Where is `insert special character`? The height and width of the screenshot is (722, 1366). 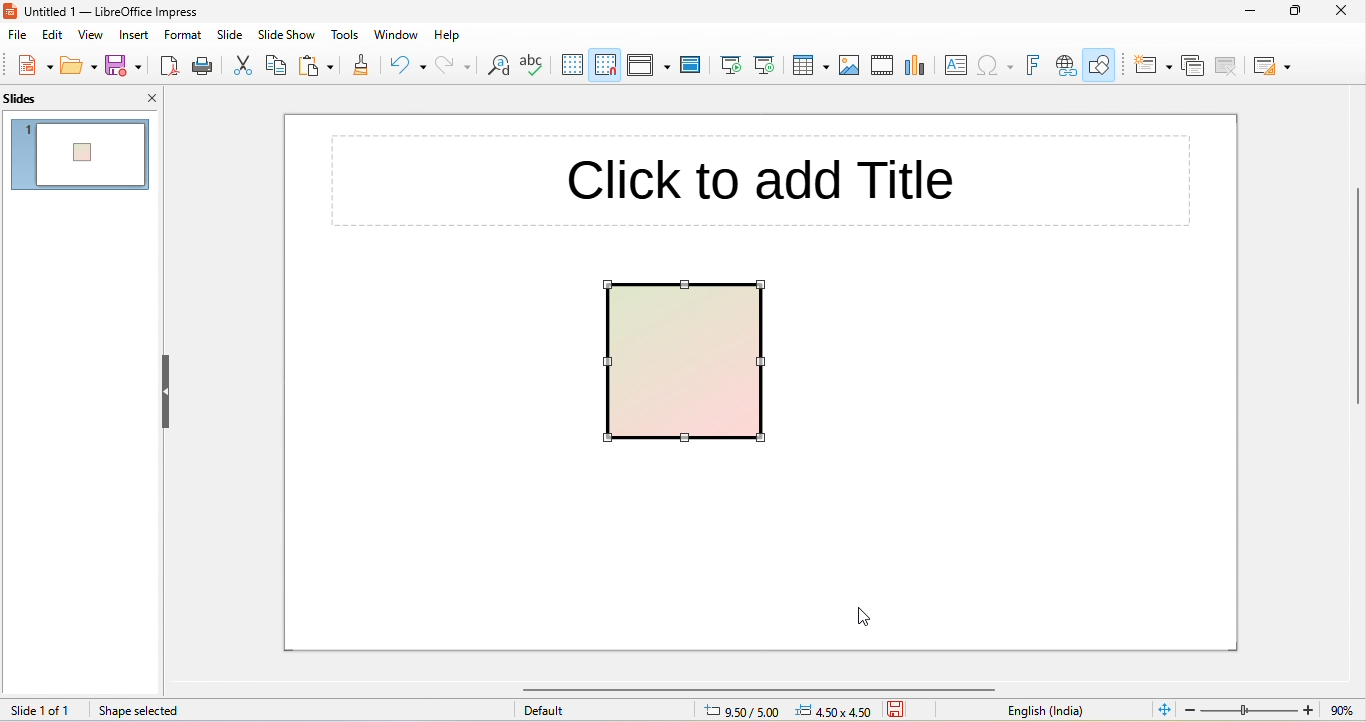
insert special character is located at coordinates (997, 65).